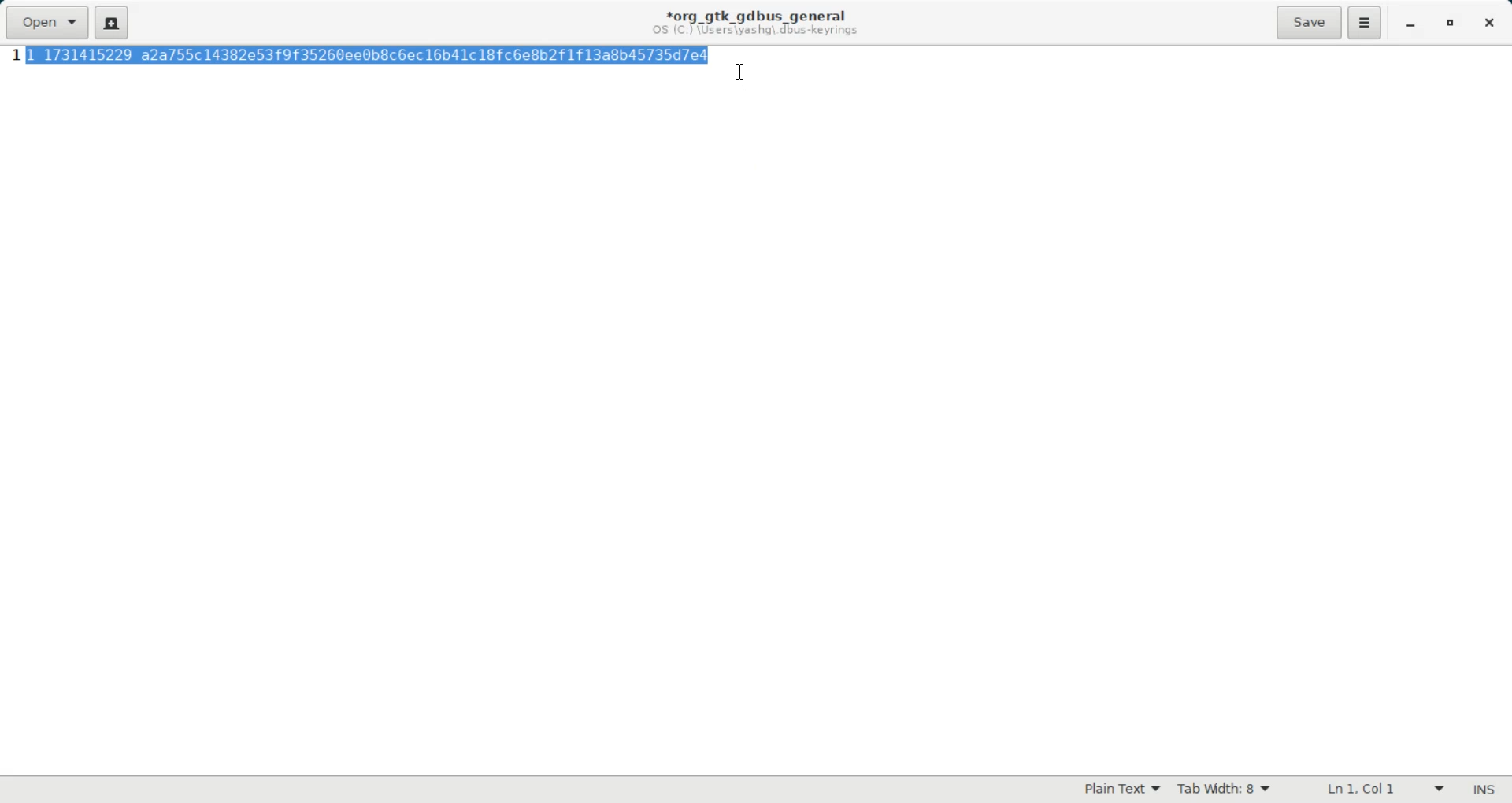  I want to click on Text, so click(1483, 790).